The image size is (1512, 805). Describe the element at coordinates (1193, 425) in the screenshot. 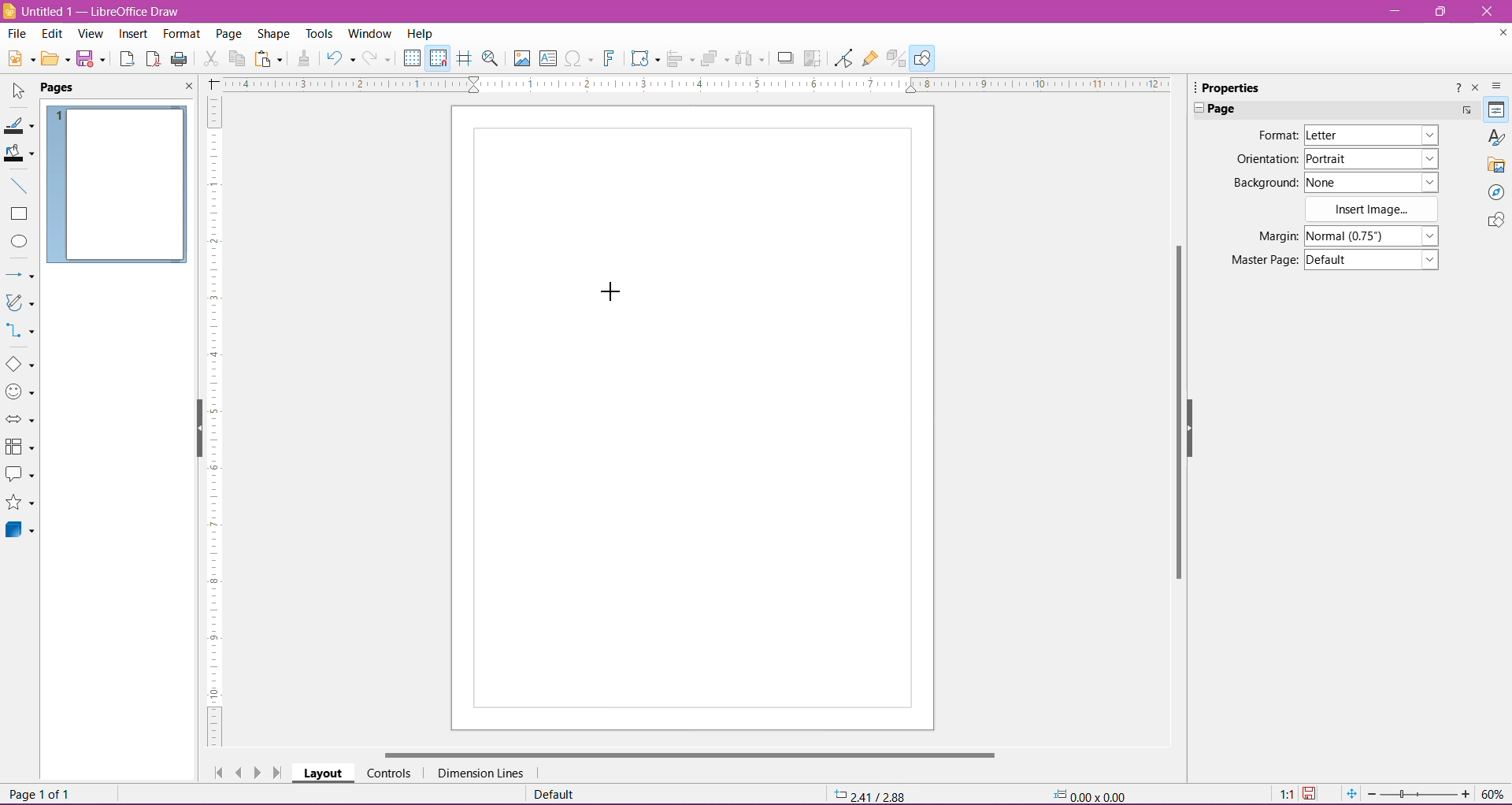

I see `Hide` at that location.